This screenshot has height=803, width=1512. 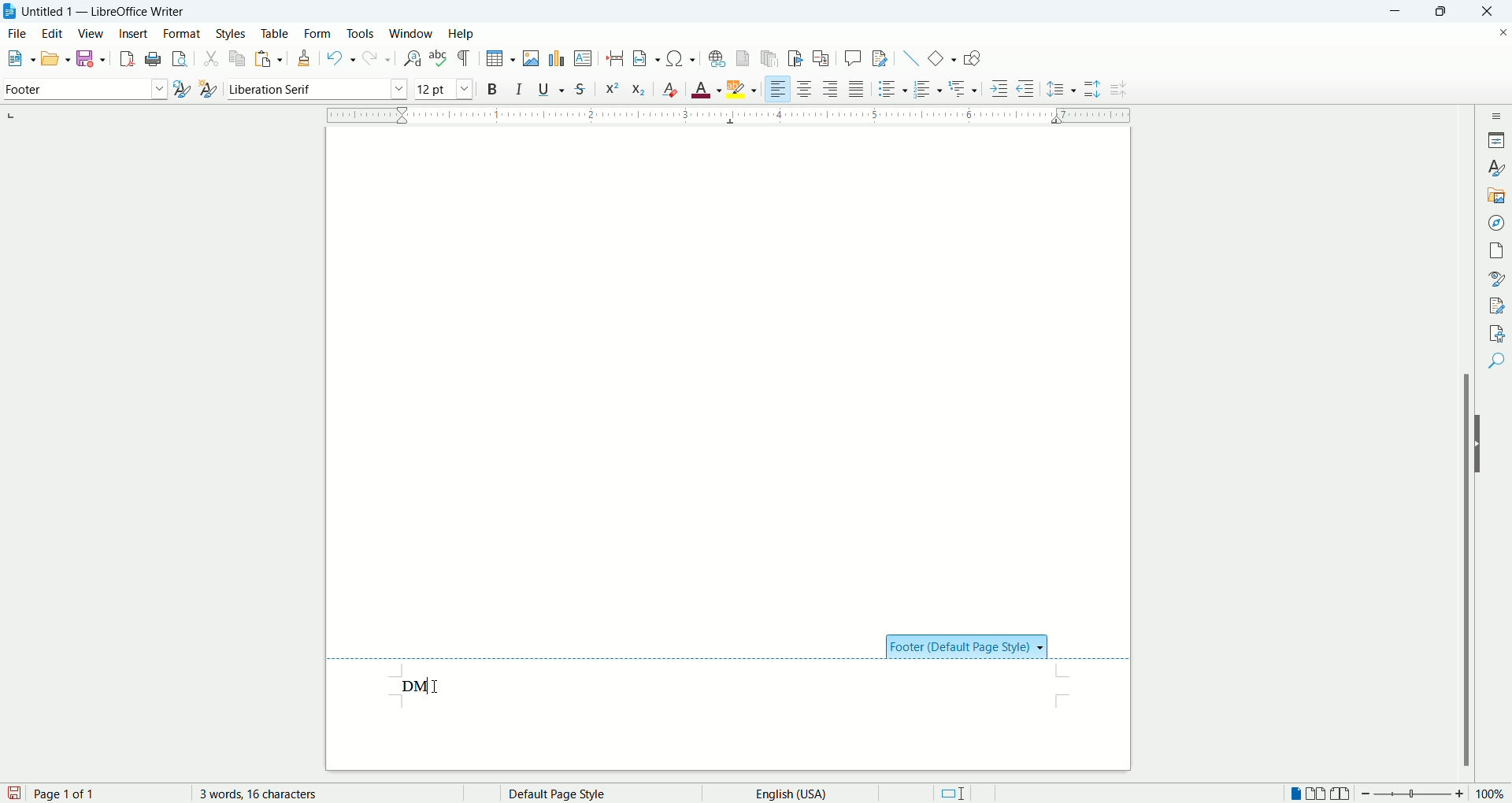 I want to click on insert endnote, so click(x=771, y=58).